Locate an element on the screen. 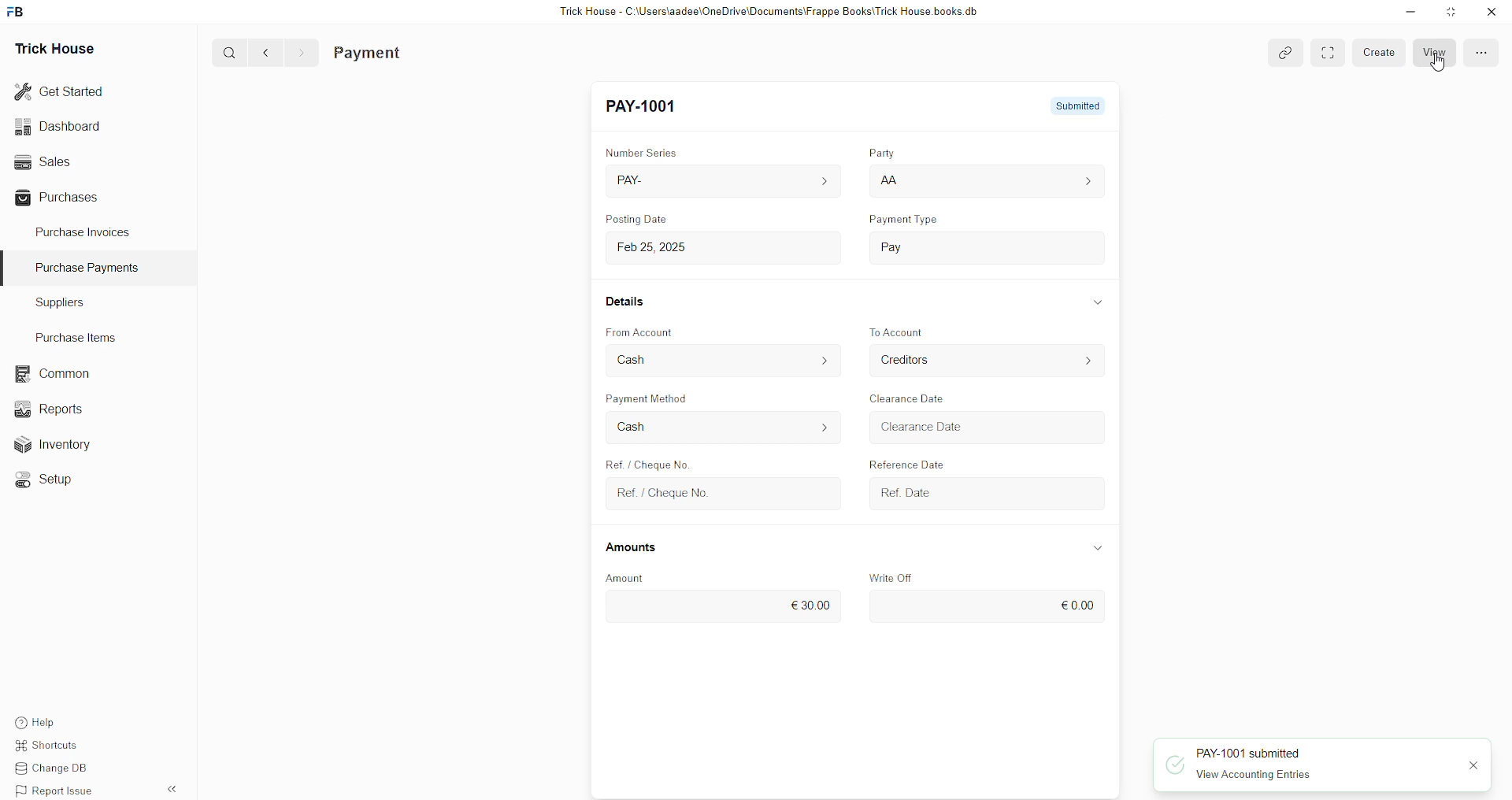 Image resolution: width=1512 pixels, height=800 pixels.  Get Started is located at coordinates (60, 90).